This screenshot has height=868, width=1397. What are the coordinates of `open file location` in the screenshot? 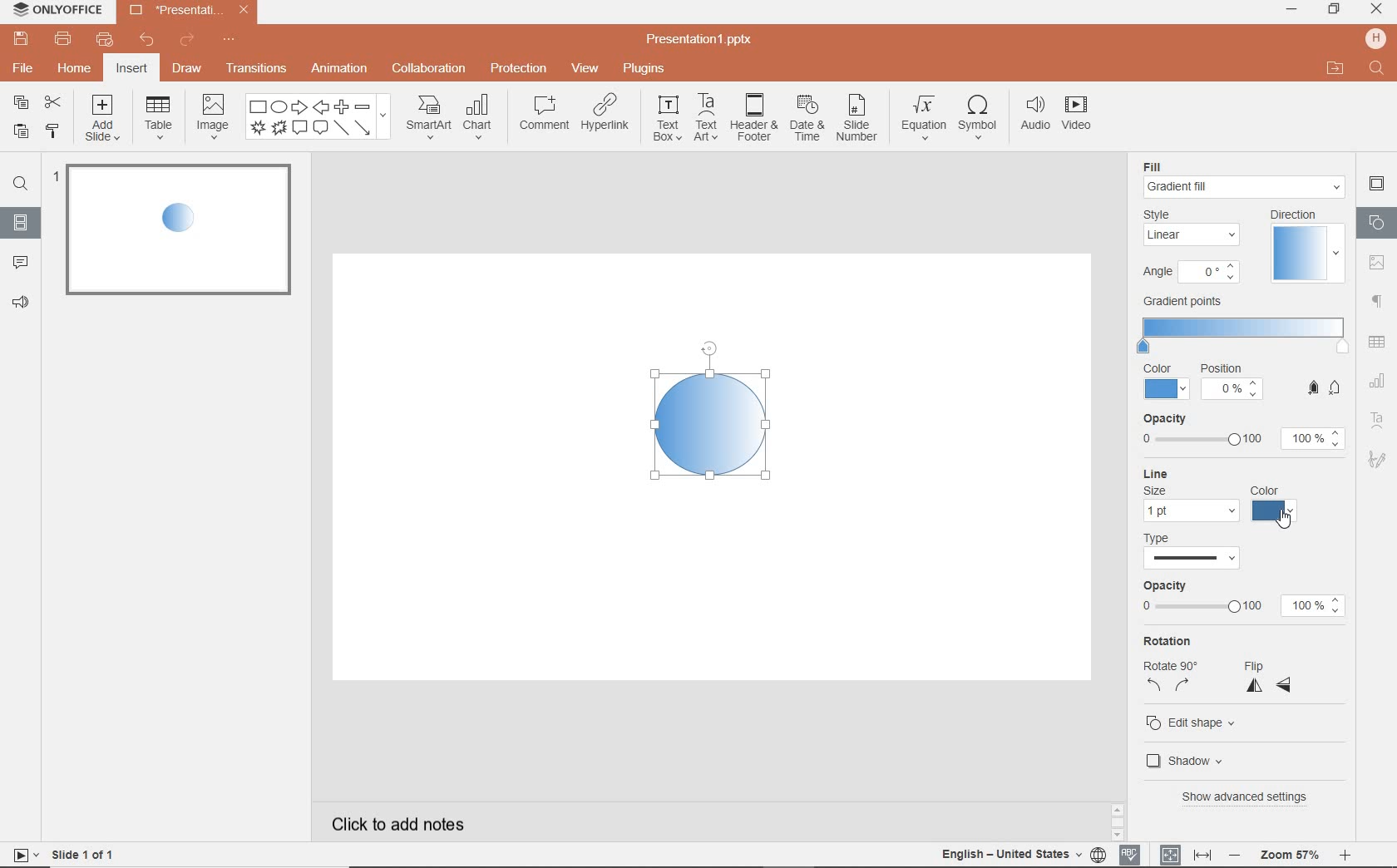 It's located at (1337, 70).